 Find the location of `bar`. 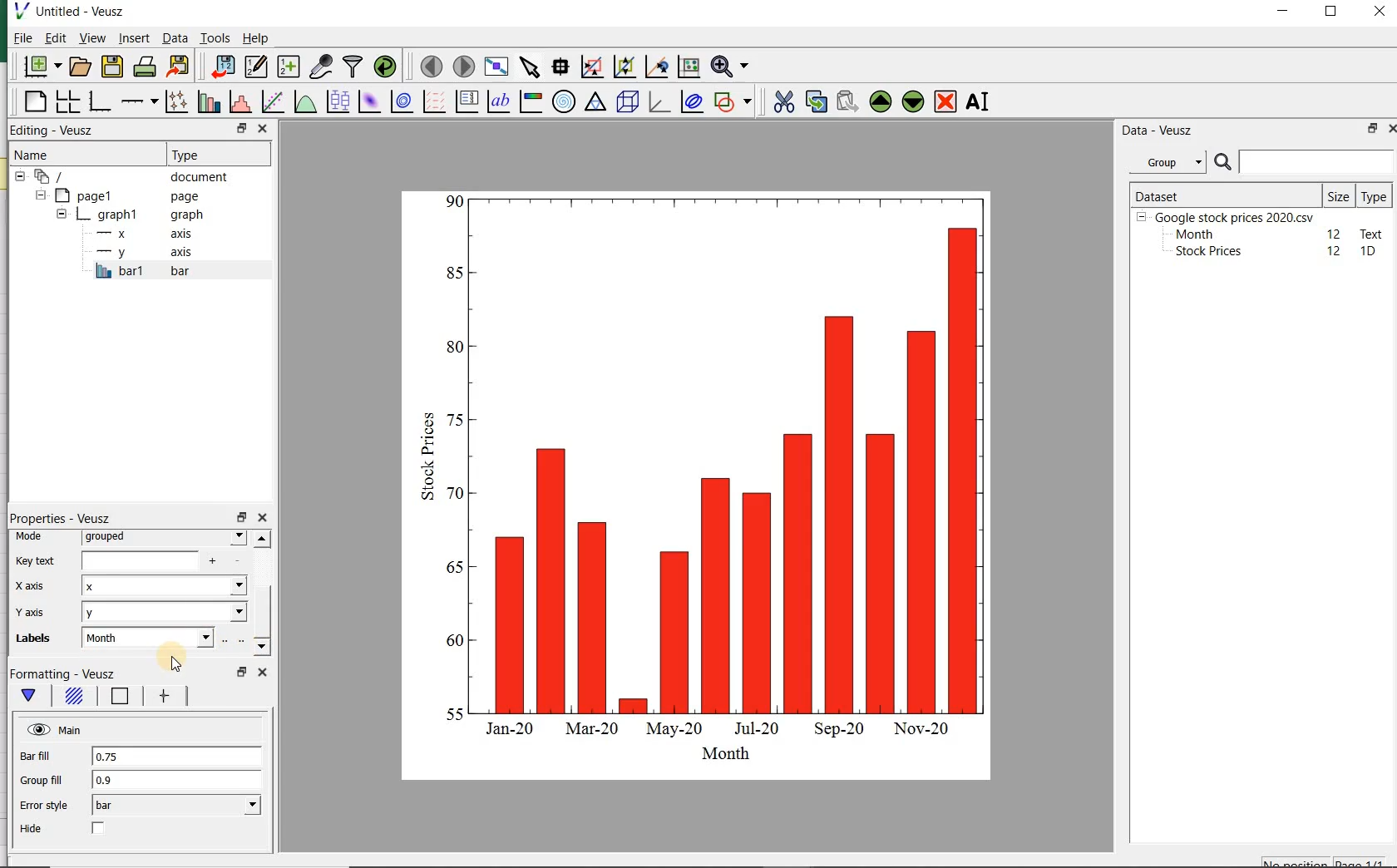

bar is located at coordinates (175, 806).